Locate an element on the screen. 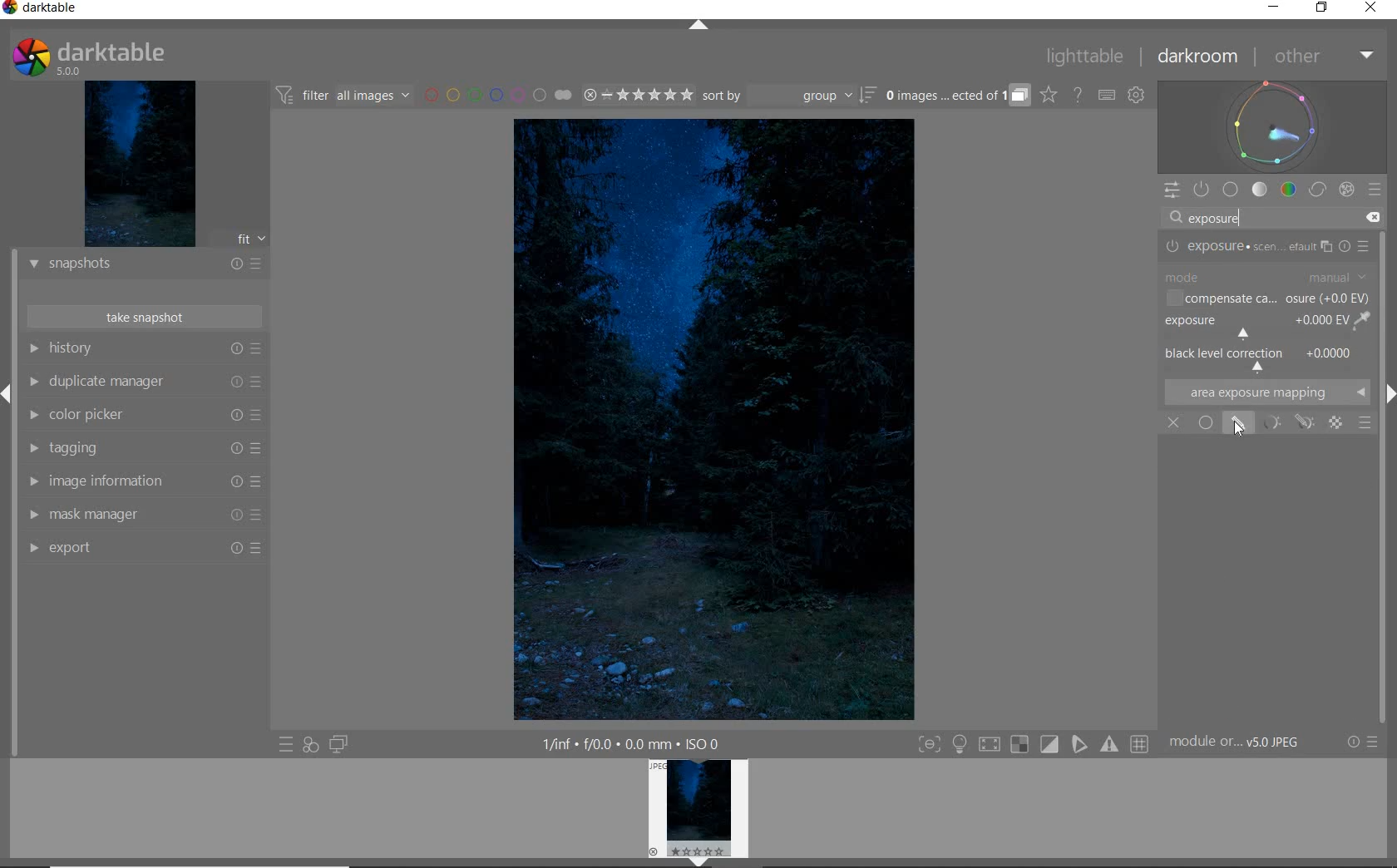 Image resolution: width=1397 pixels, height=868 pixels. MODE is located at coordinates (1265, 277).